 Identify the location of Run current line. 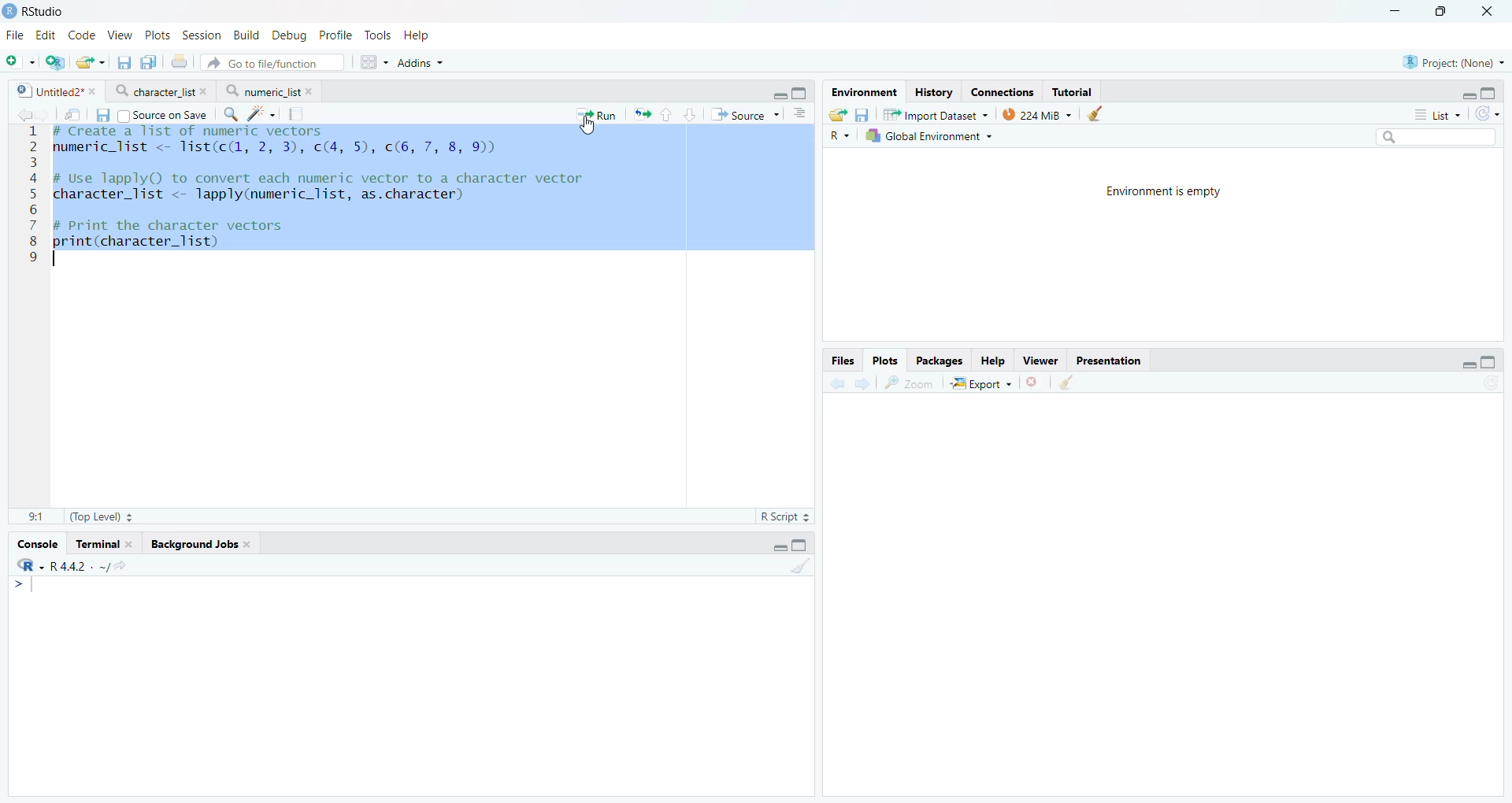
(594, 115).